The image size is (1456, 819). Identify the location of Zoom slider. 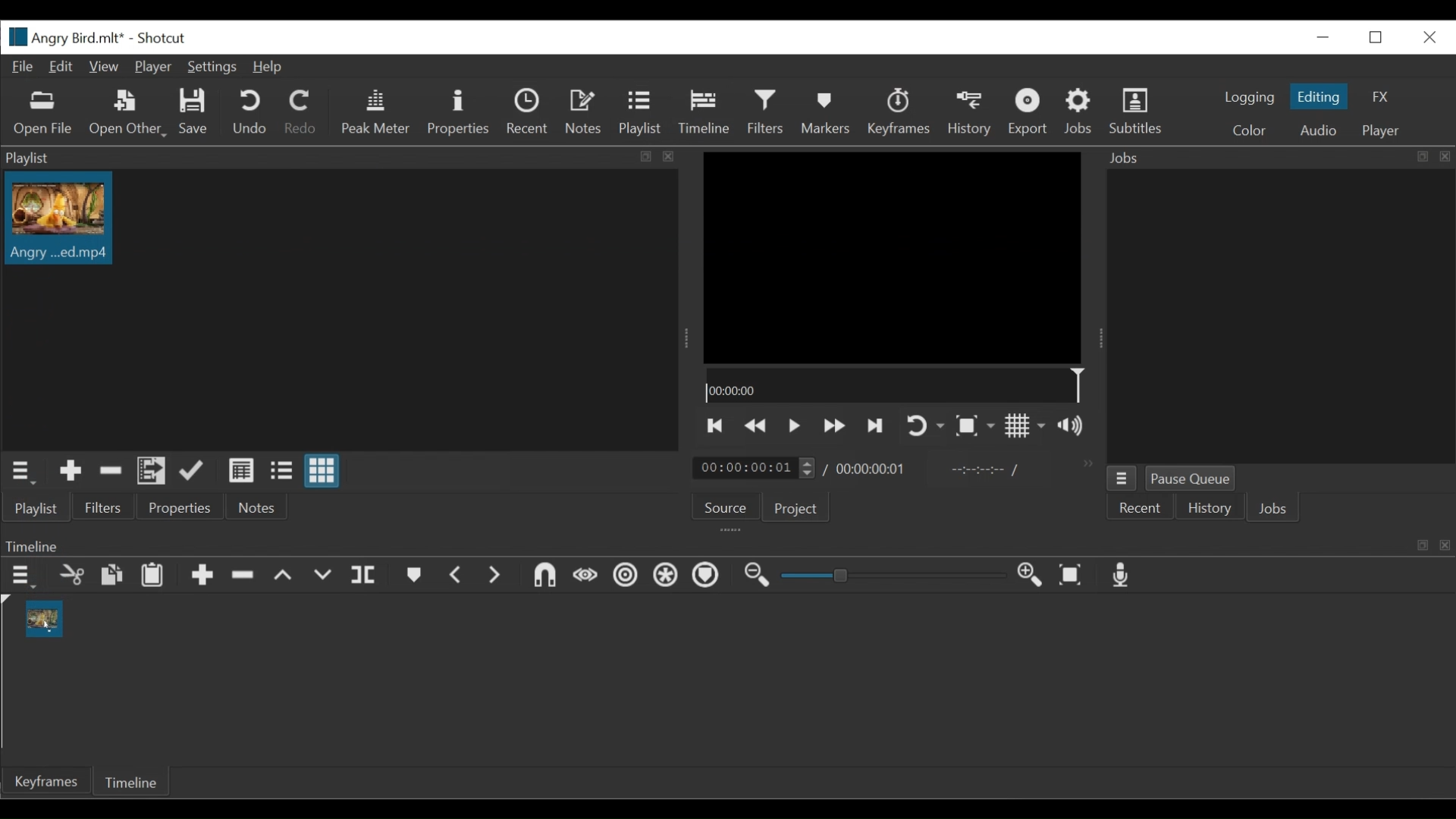
(889, 577).